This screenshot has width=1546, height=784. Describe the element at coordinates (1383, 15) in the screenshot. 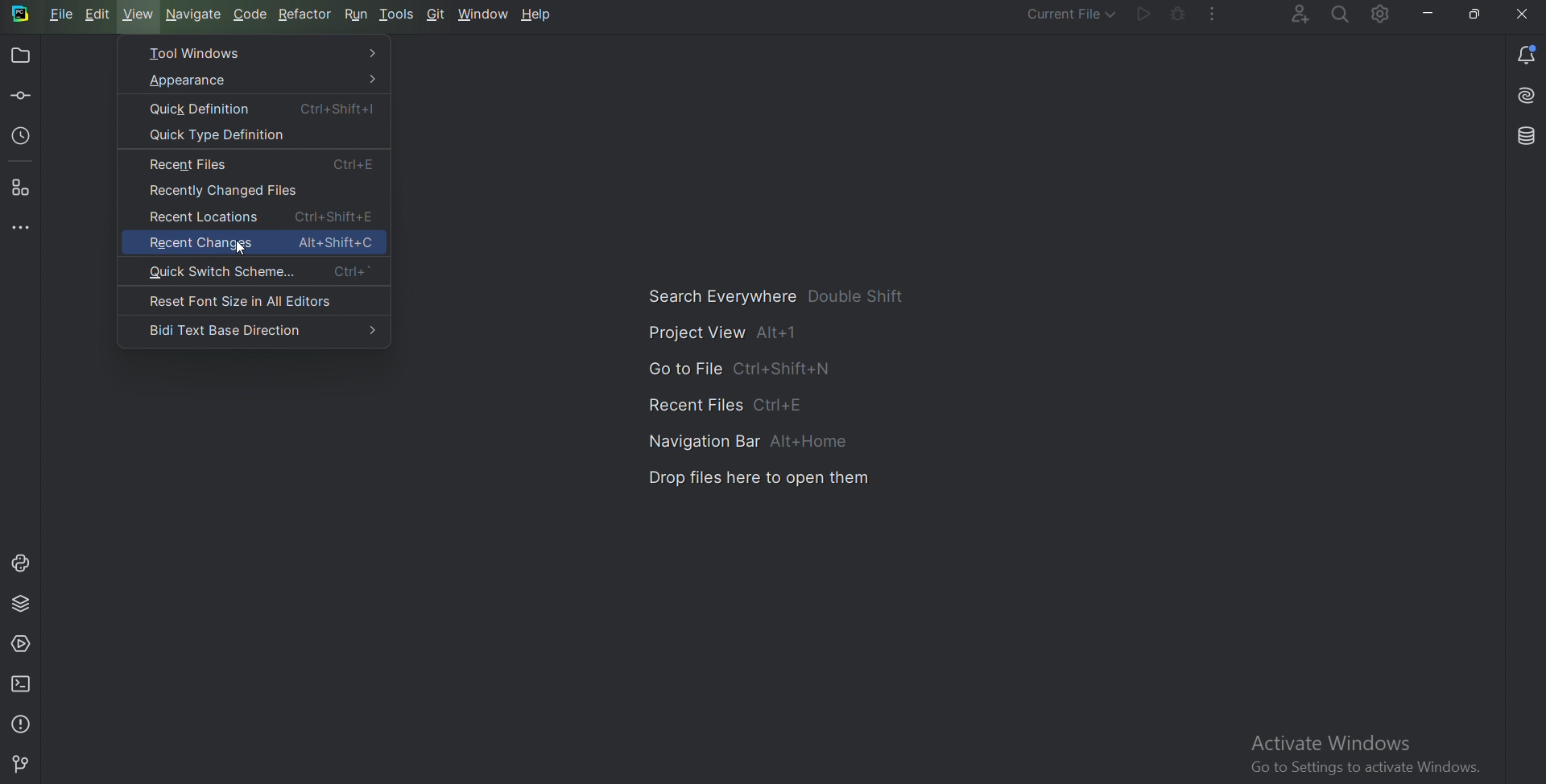

I see `Settings` at that location.